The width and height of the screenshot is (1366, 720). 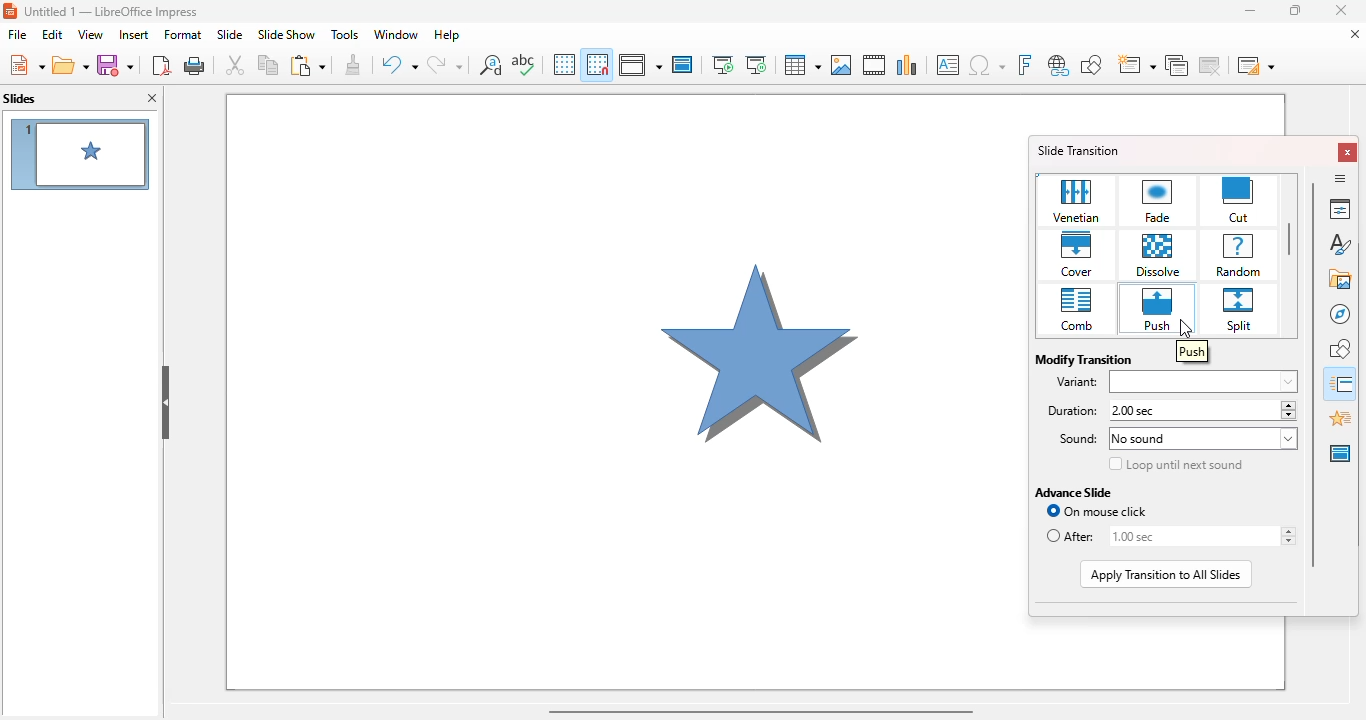 I want to click on tools, so click(x=345, y=35).